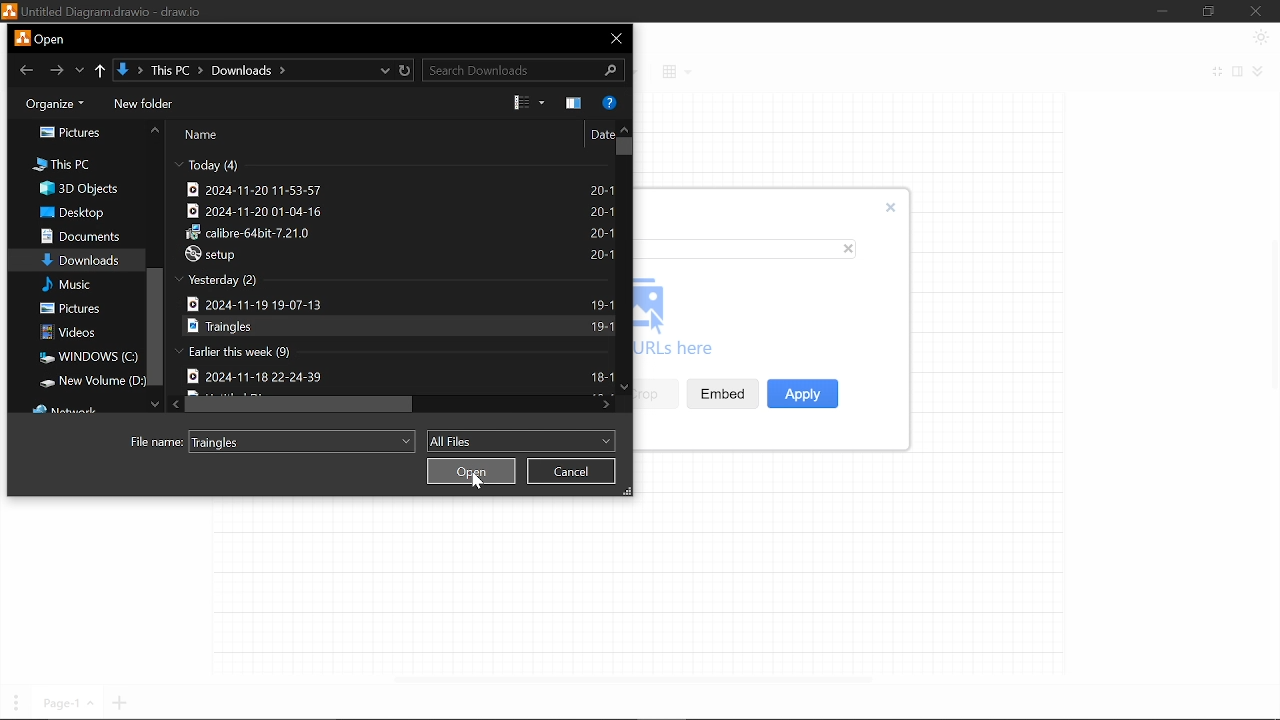 Image resolution: width=1280 pixels, height=720 pixels. I want to click on Move right in files in "Downloads", so click(604, 404).